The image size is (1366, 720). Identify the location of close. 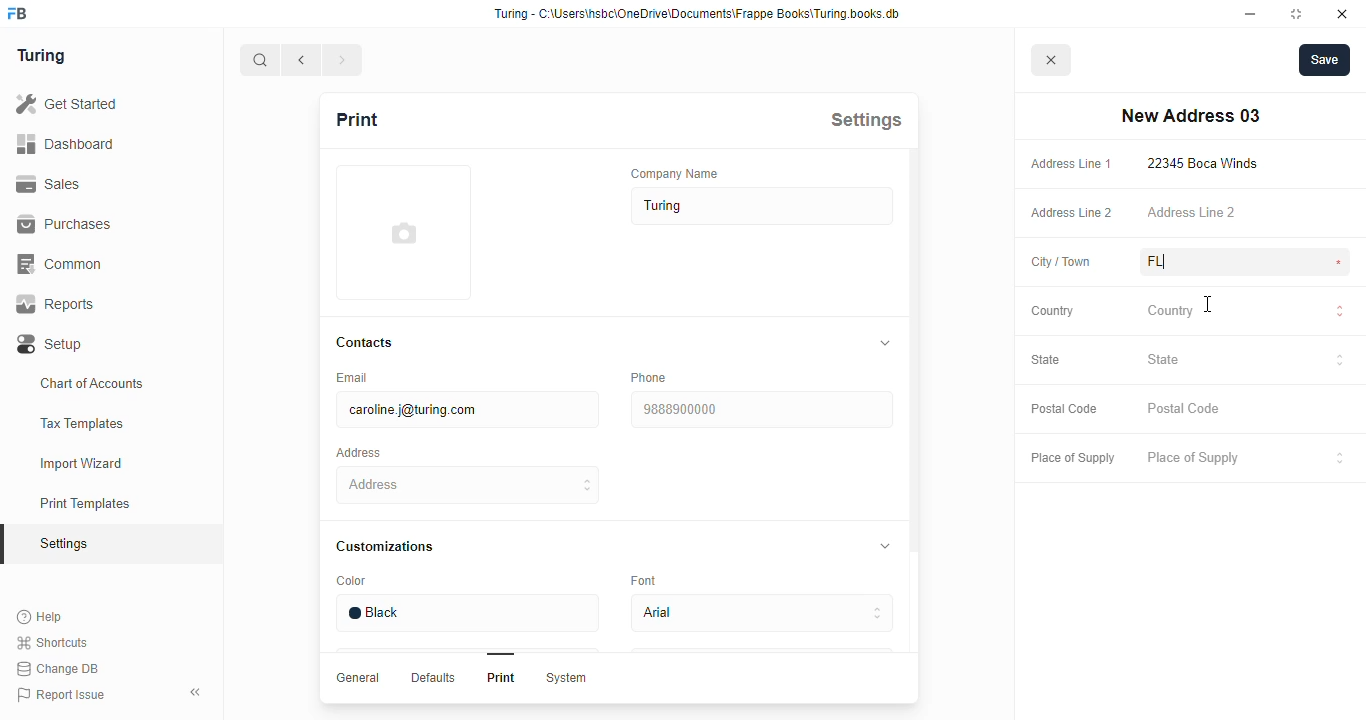
(1342, 14).